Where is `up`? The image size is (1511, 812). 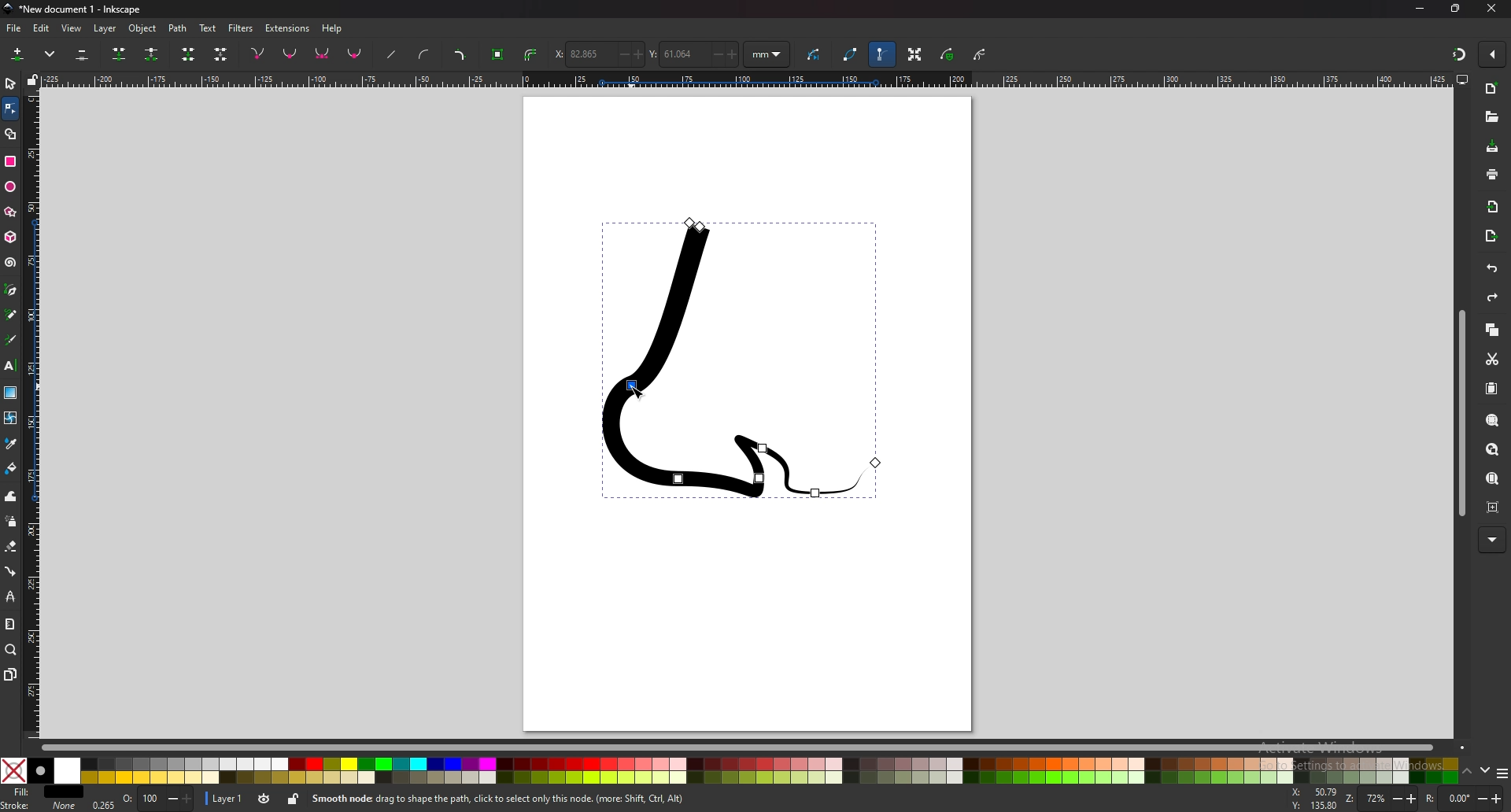 up is located at coordinates (1468, 772).